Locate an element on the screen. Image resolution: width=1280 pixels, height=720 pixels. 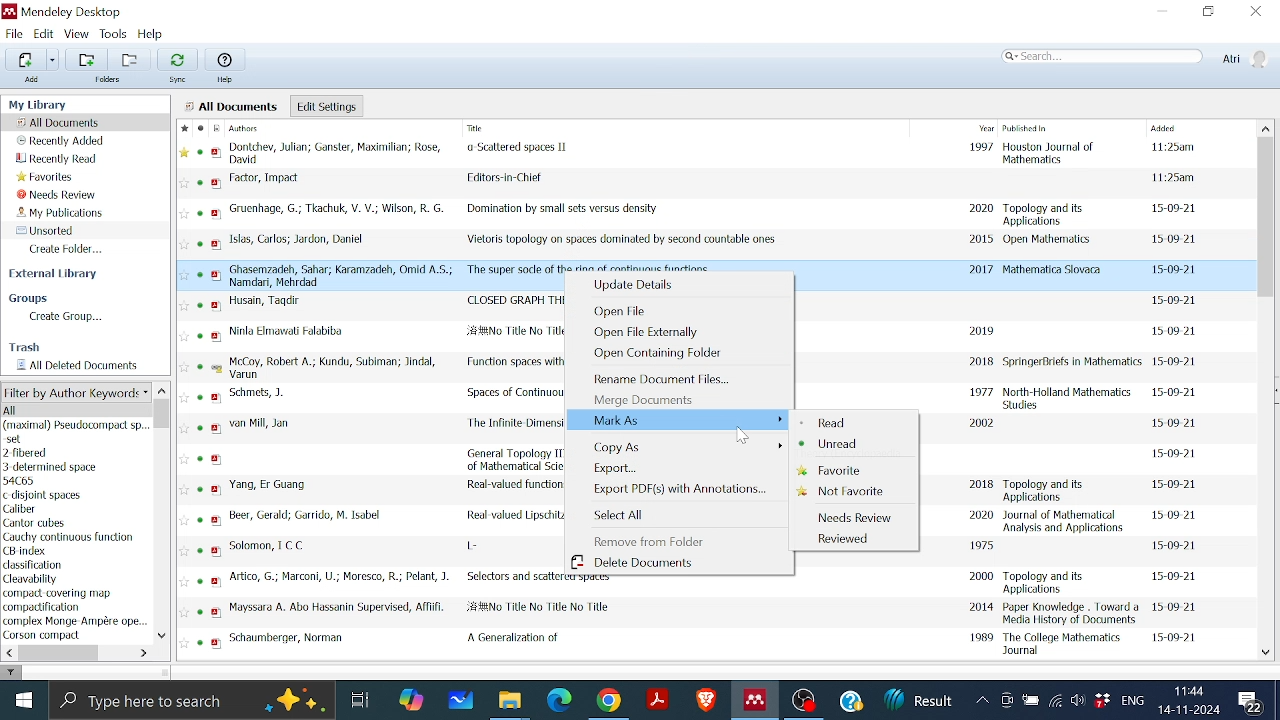
document is located at coordinates (1167, 454).